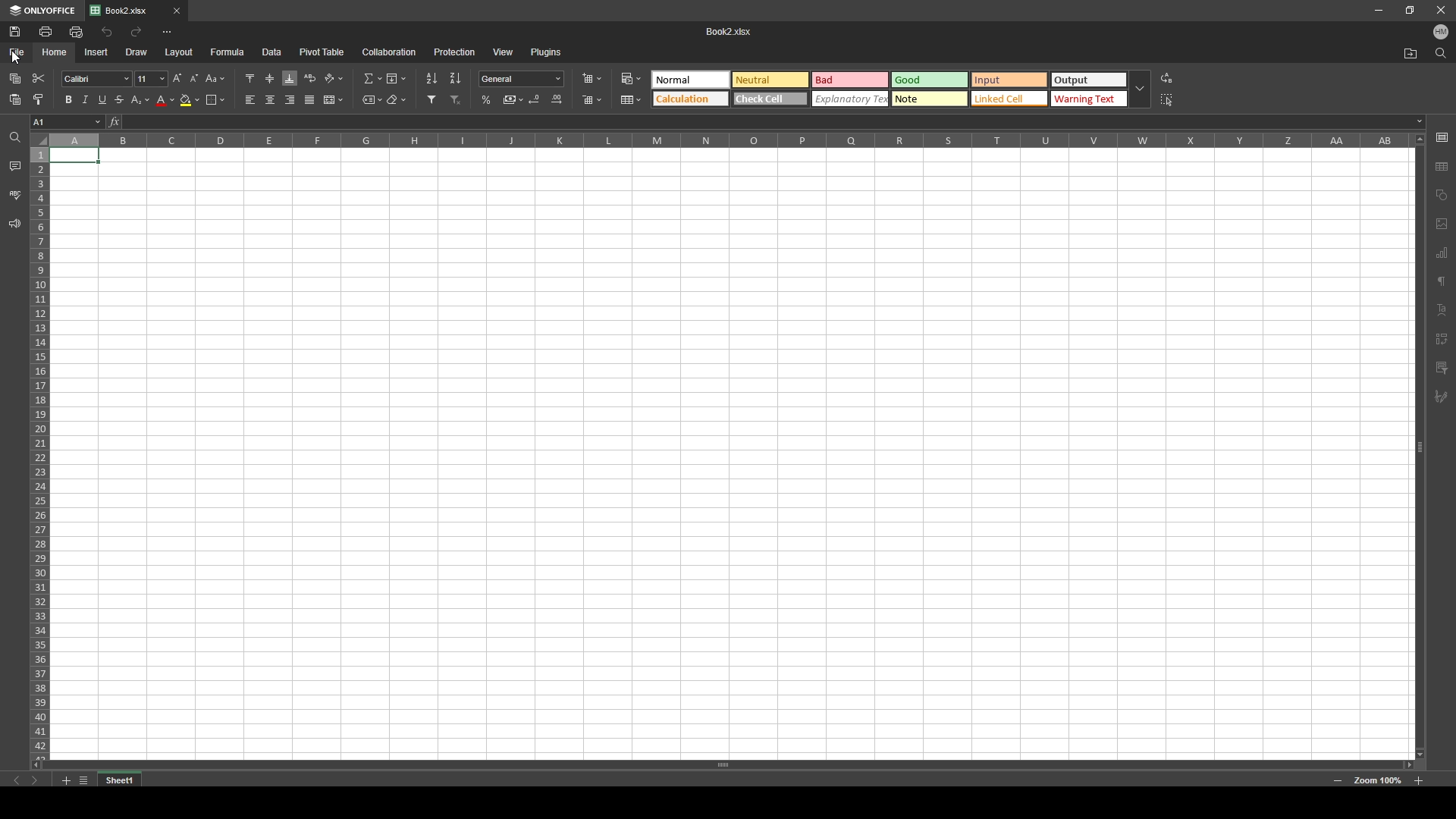 This screenshot has width=1456, height=819. Describe the element at coordinates (14, 224) in the screenshot. I see `support` at that location.